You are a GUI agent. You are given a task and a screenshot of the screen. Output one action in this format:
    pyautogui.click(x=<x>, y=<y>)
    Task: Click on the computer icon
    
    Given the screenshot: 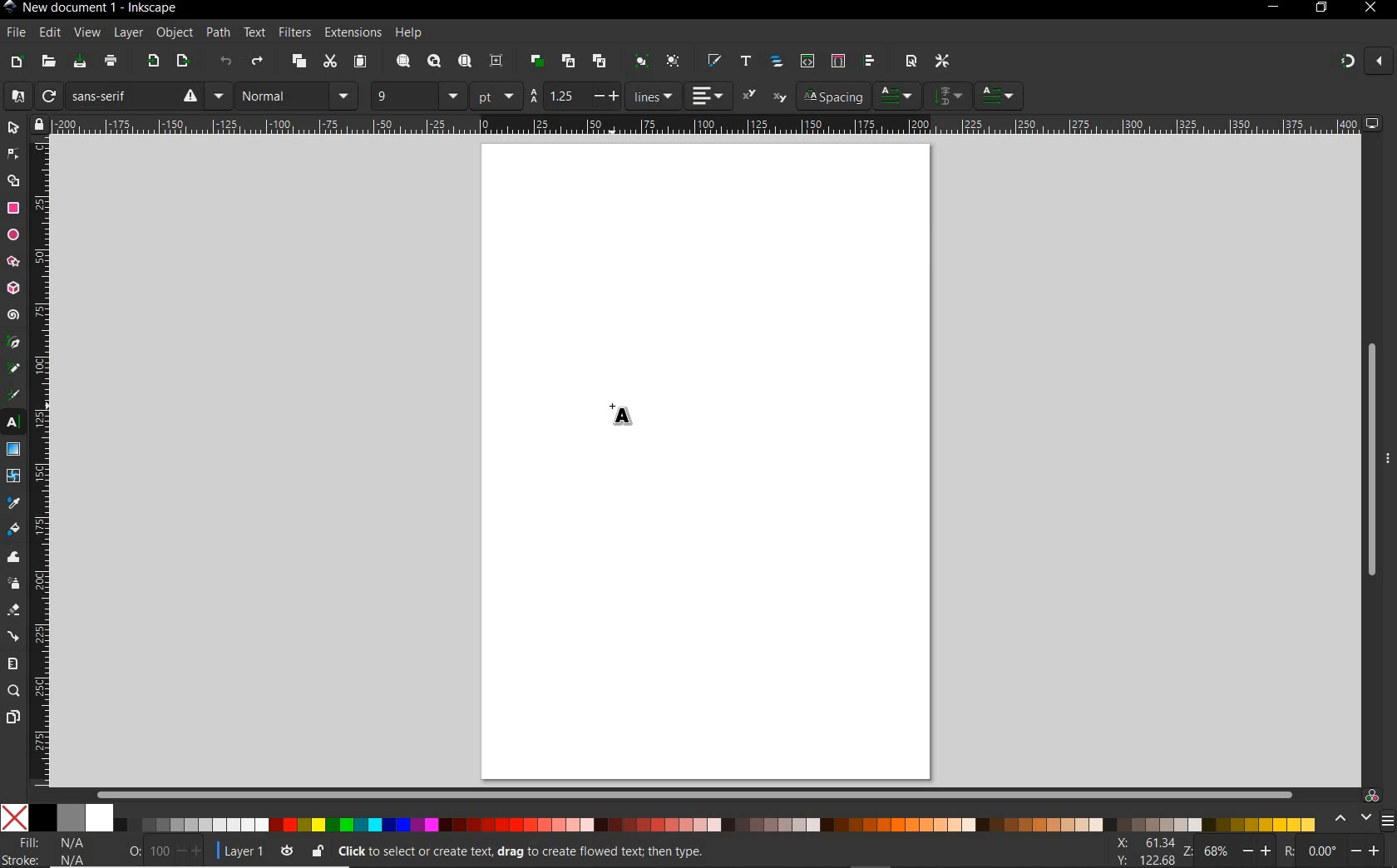 What is the action you would take?
    pyautogui.click(x=1373, y=123)
    